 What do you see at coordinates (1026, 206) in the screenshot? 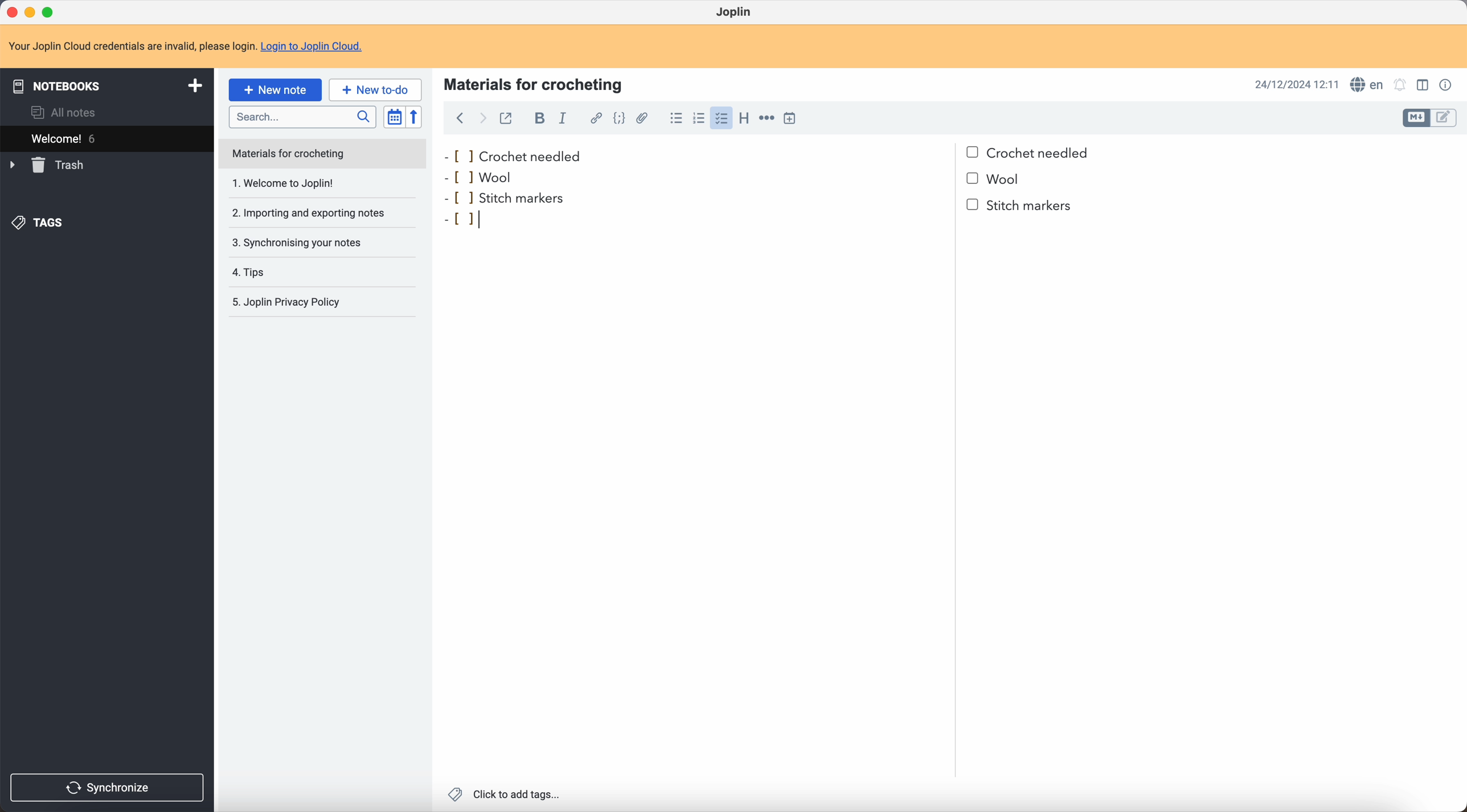
I see `stitch markers` at bounding box center [1026, 206].